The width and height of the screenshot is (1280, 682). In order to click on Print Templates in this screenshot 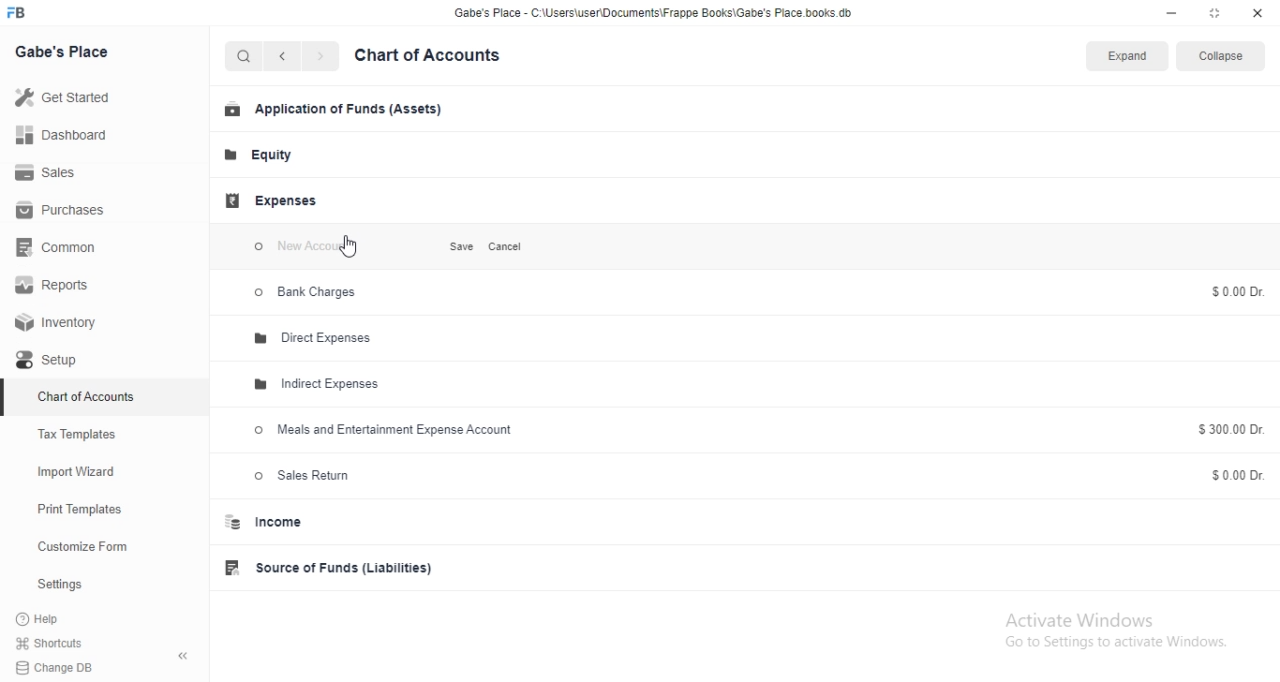, I will do `click(78, 508)`.